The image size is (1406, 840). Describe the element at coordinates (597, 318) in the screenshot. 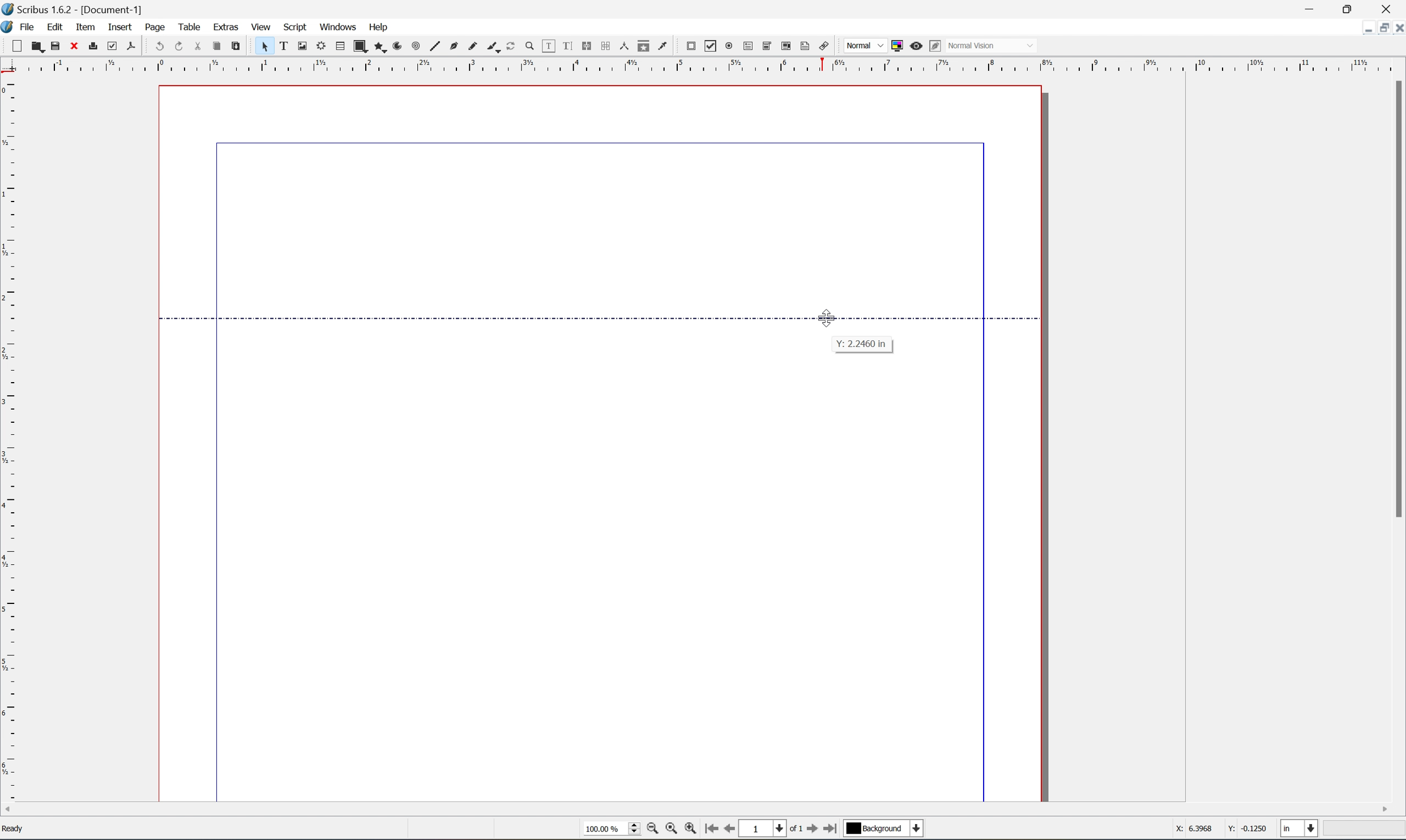

I see `Guide` at that location.